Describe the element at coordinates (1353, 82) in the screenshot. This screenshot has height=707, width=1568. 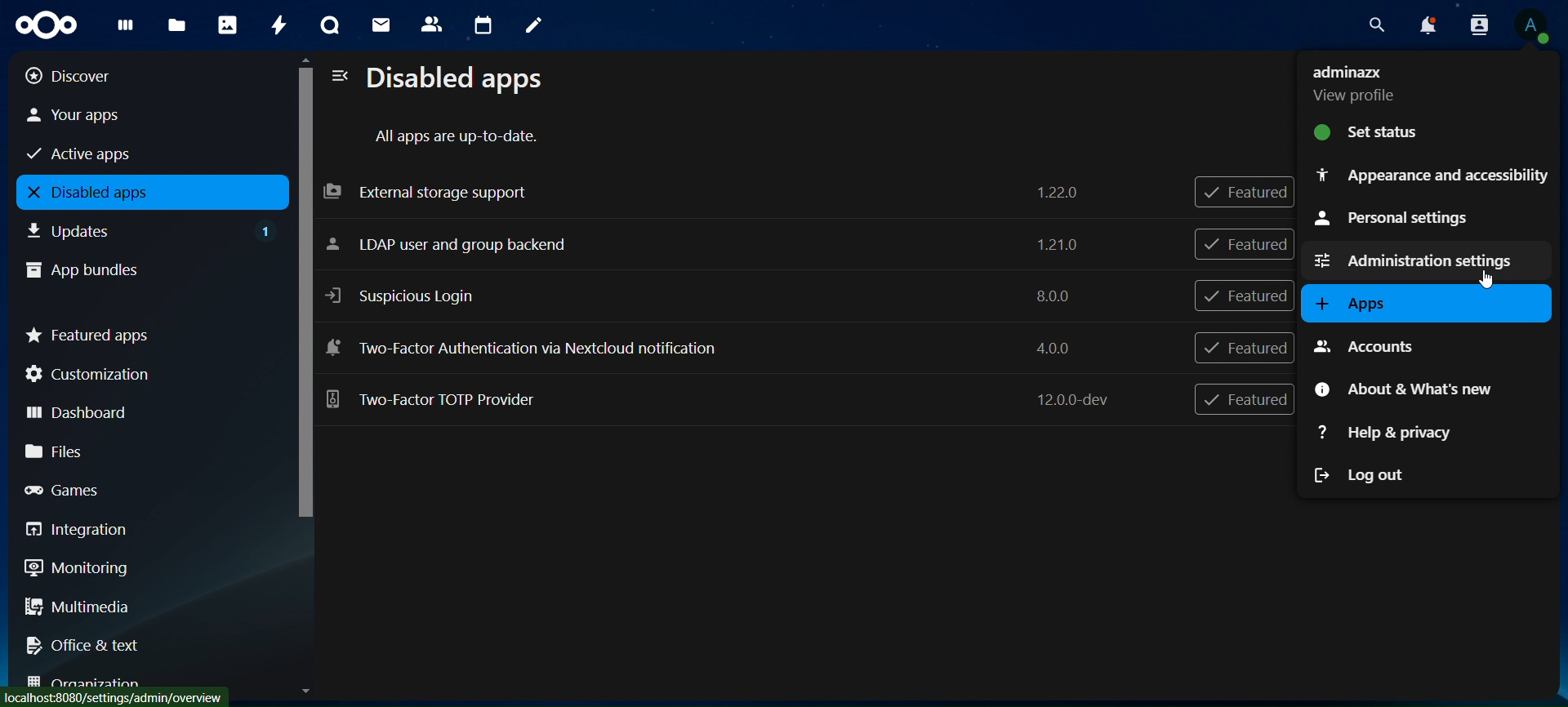
I see `adminazx` at that location.